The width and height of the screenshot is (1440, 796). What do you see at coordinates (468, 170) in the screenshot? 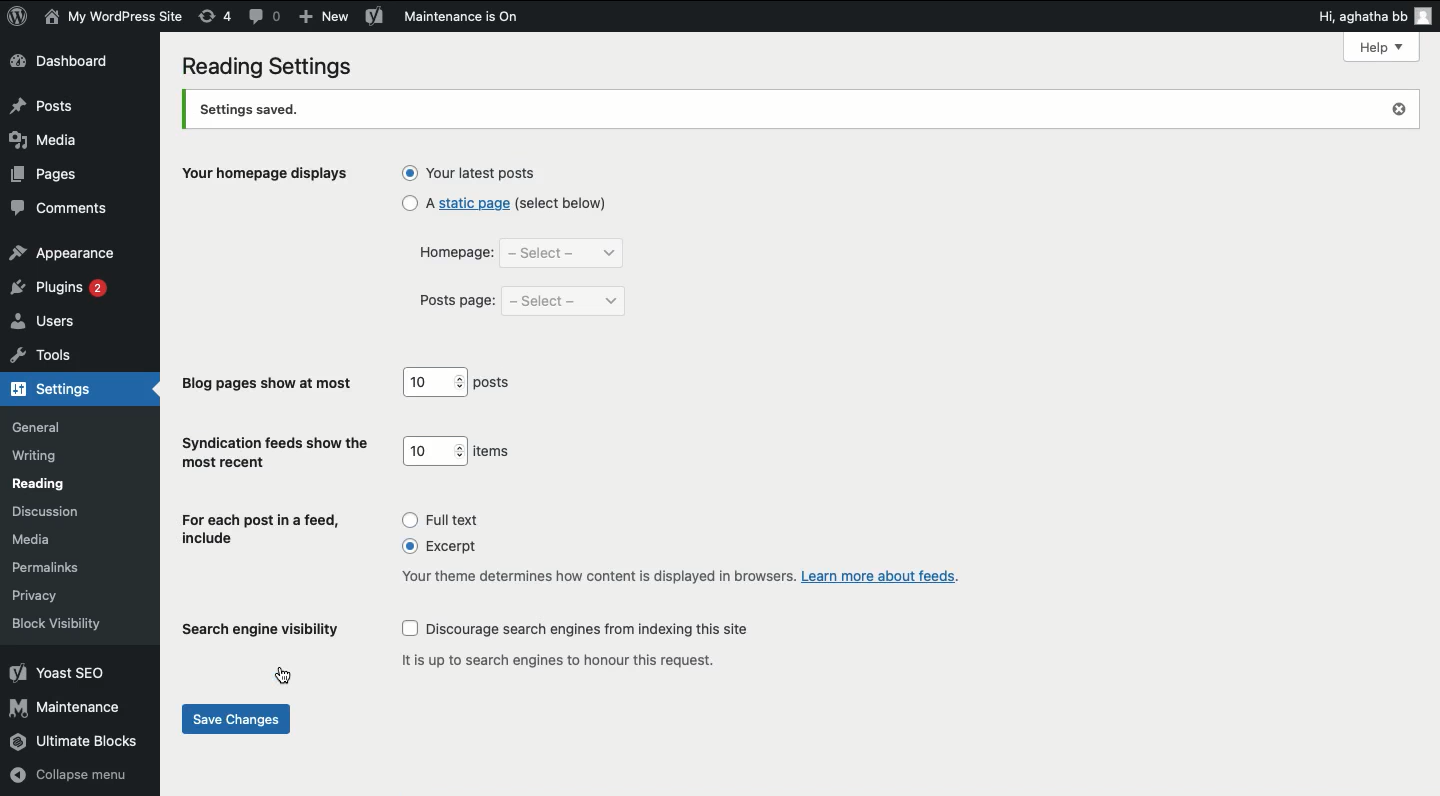
I see `your latest posts` at bounding box center [468, 170].